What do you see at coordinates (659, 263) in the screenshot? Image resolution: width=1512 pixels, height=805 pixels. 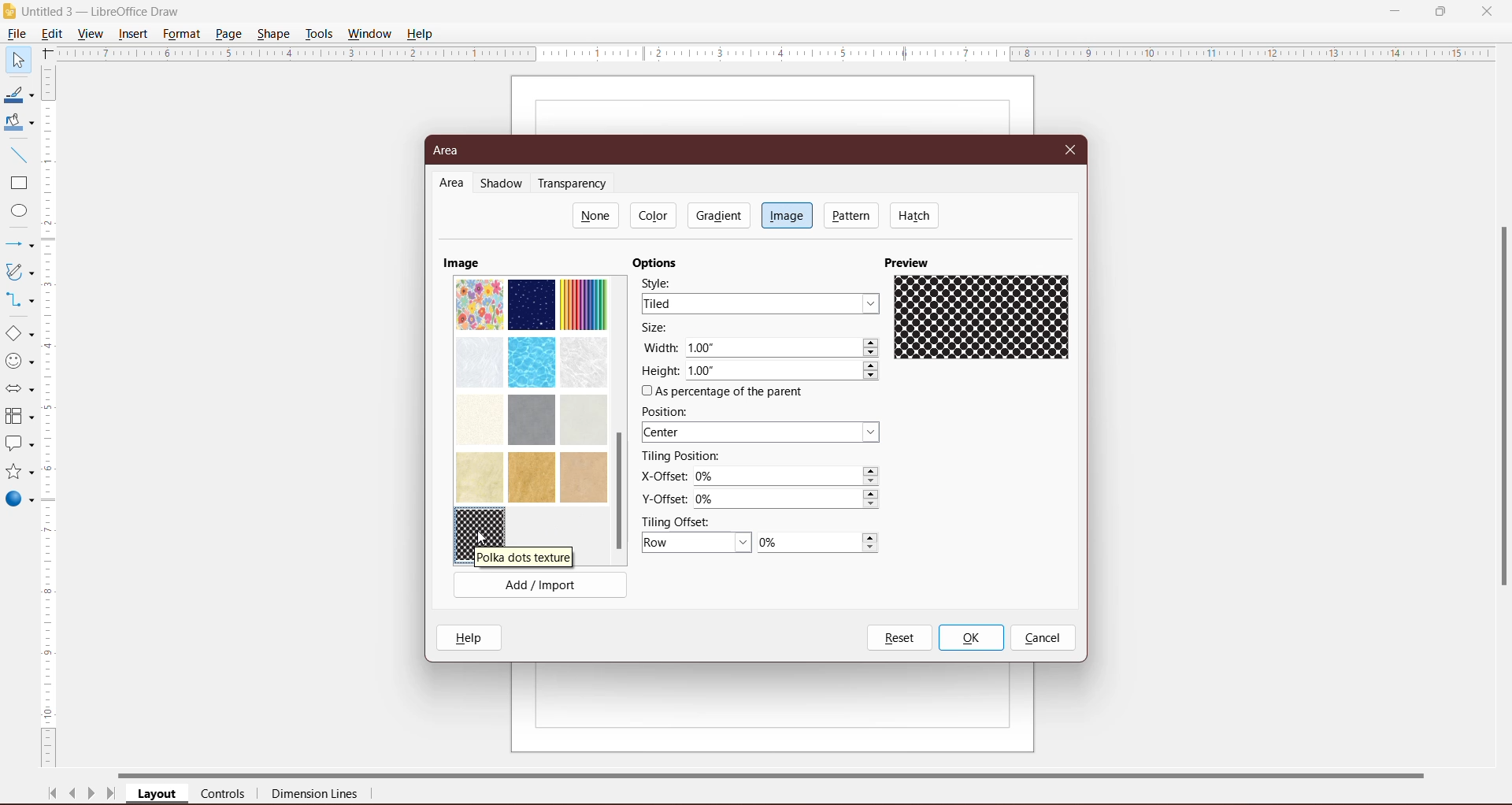 I see `Options` at bounding box center [659, 263].